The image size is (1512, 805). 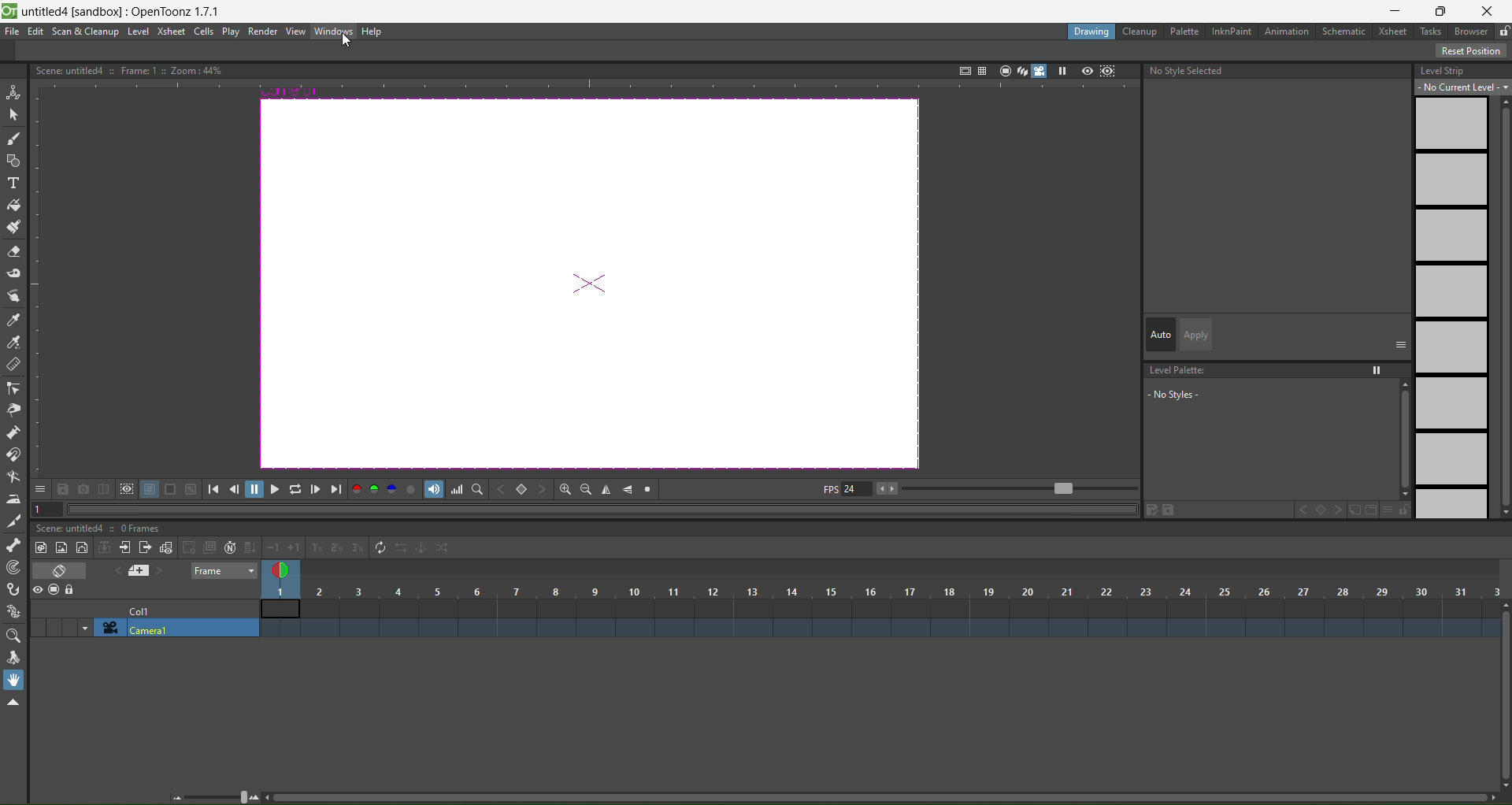 What do you see at coordinates (1186, 31) in the screenshot?
I see `palette` at bounding box center [1186, 31].